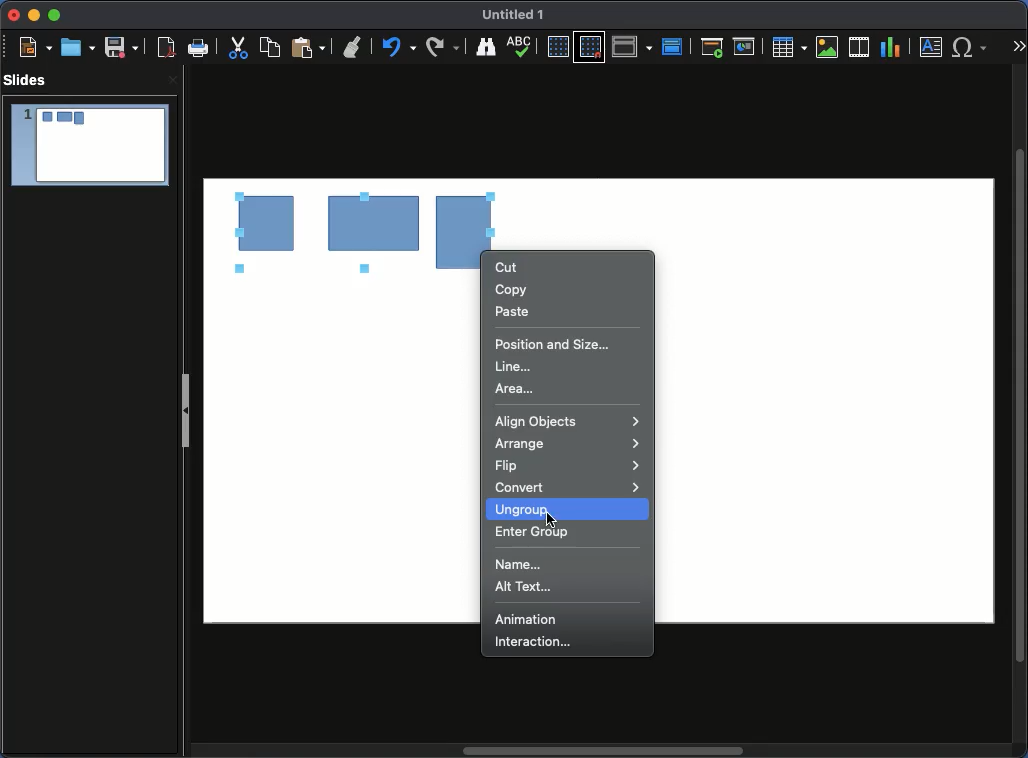 The height and width of the screenshot is (758, 1028). I want to click on Start from first slide, so click(711, 49).